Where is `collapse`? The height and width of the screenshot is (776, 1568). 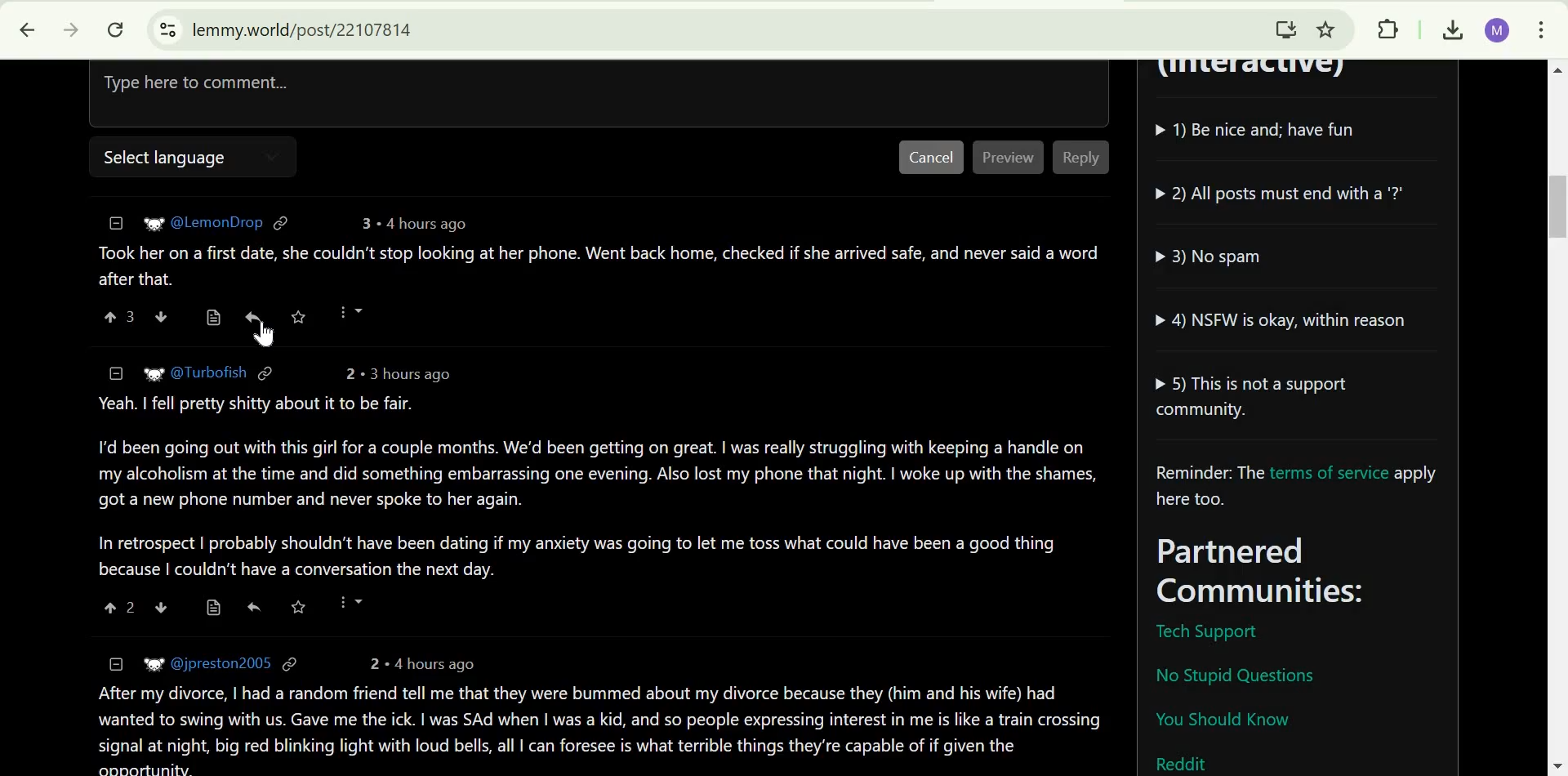 collapse is located at coordinates (115, 662).